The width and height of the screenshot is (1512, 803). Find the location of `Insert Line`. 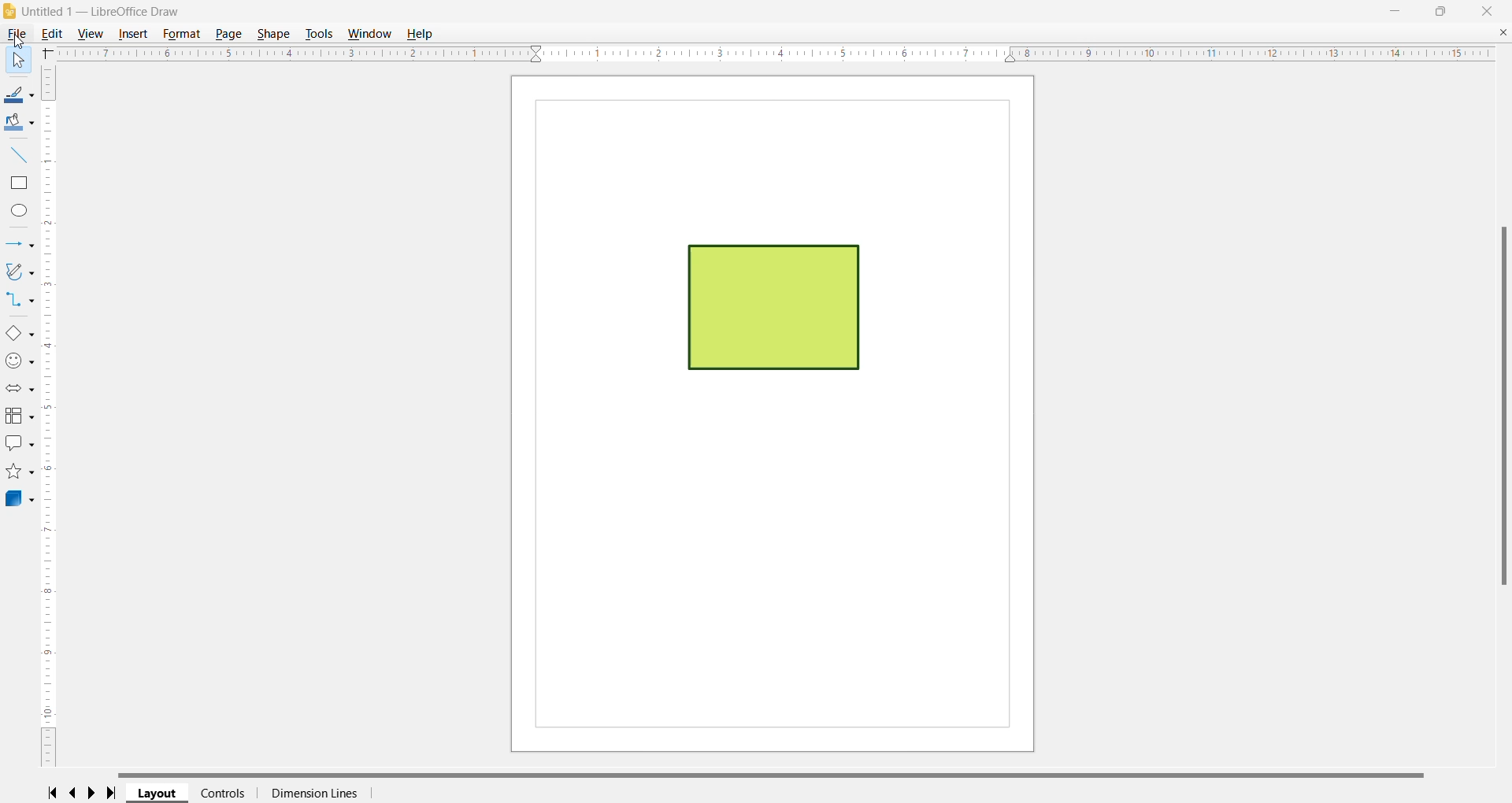

Insert Line is located at coordinates (20, 155).